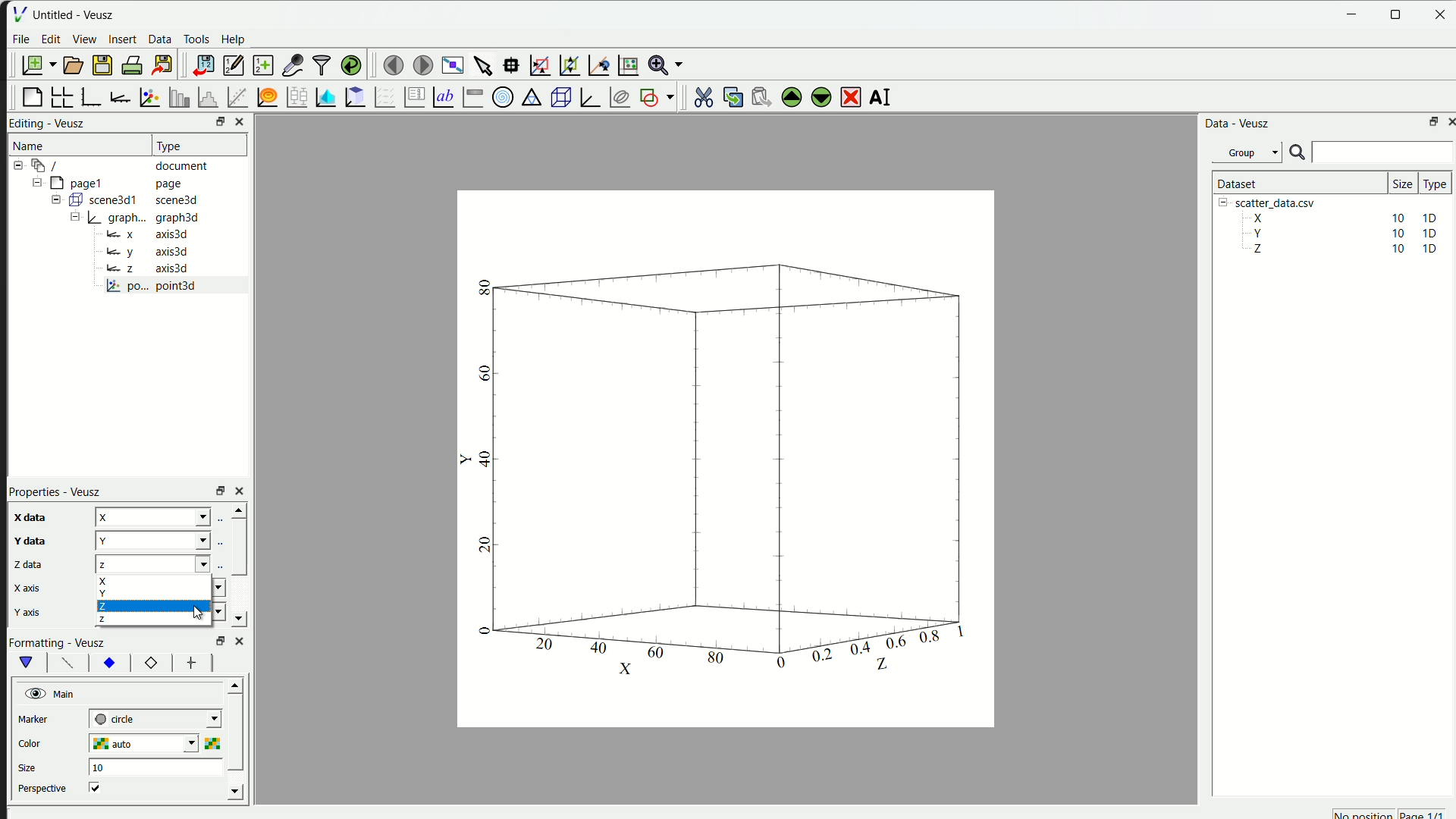 This screenshot has width=1456, height=819. I want to click on = ( scene3d1  scene3d, so click(128, 199).